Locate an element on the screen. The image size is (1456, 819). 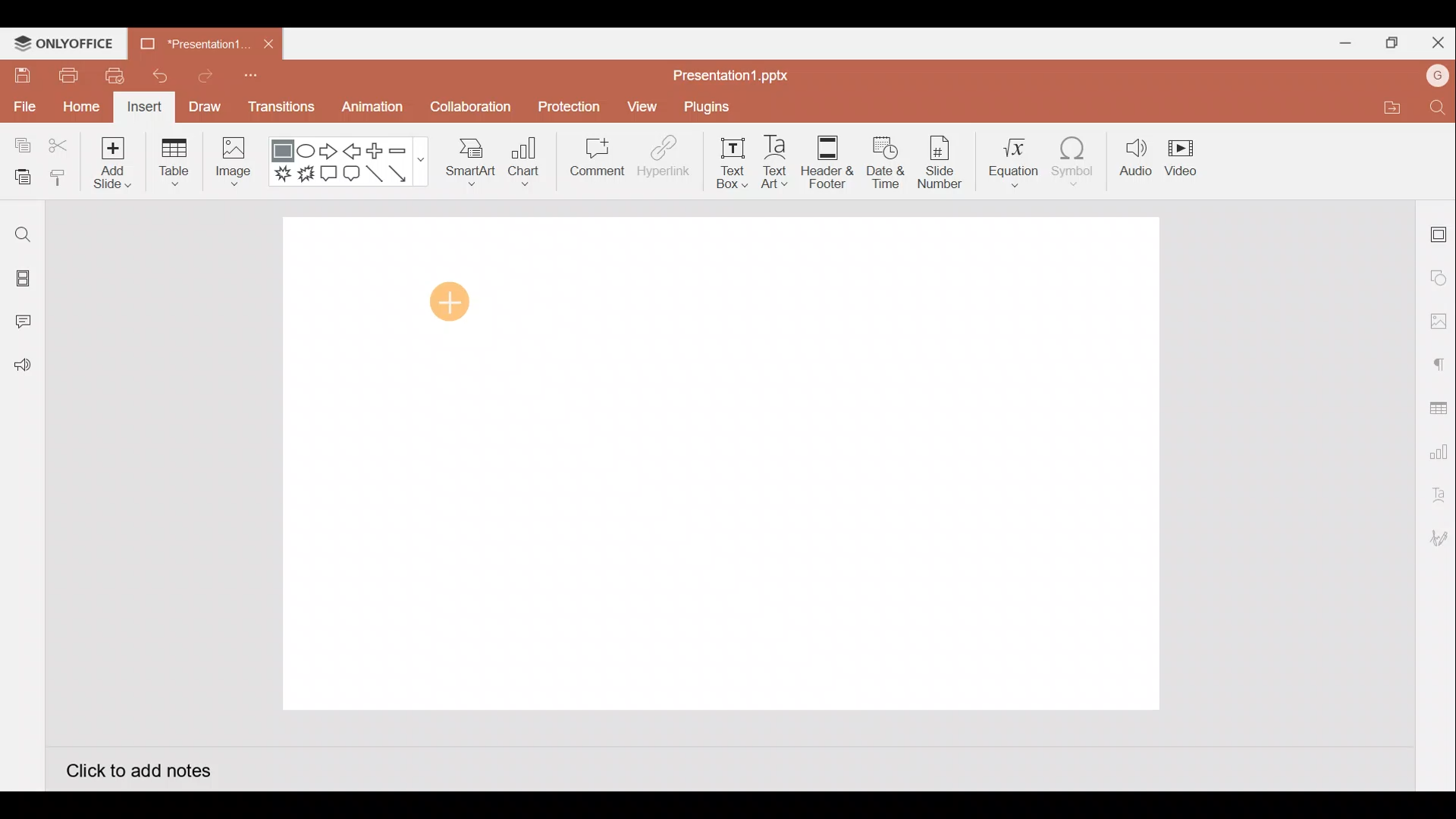
Explosion 2 is located at coordinates (306, 174).